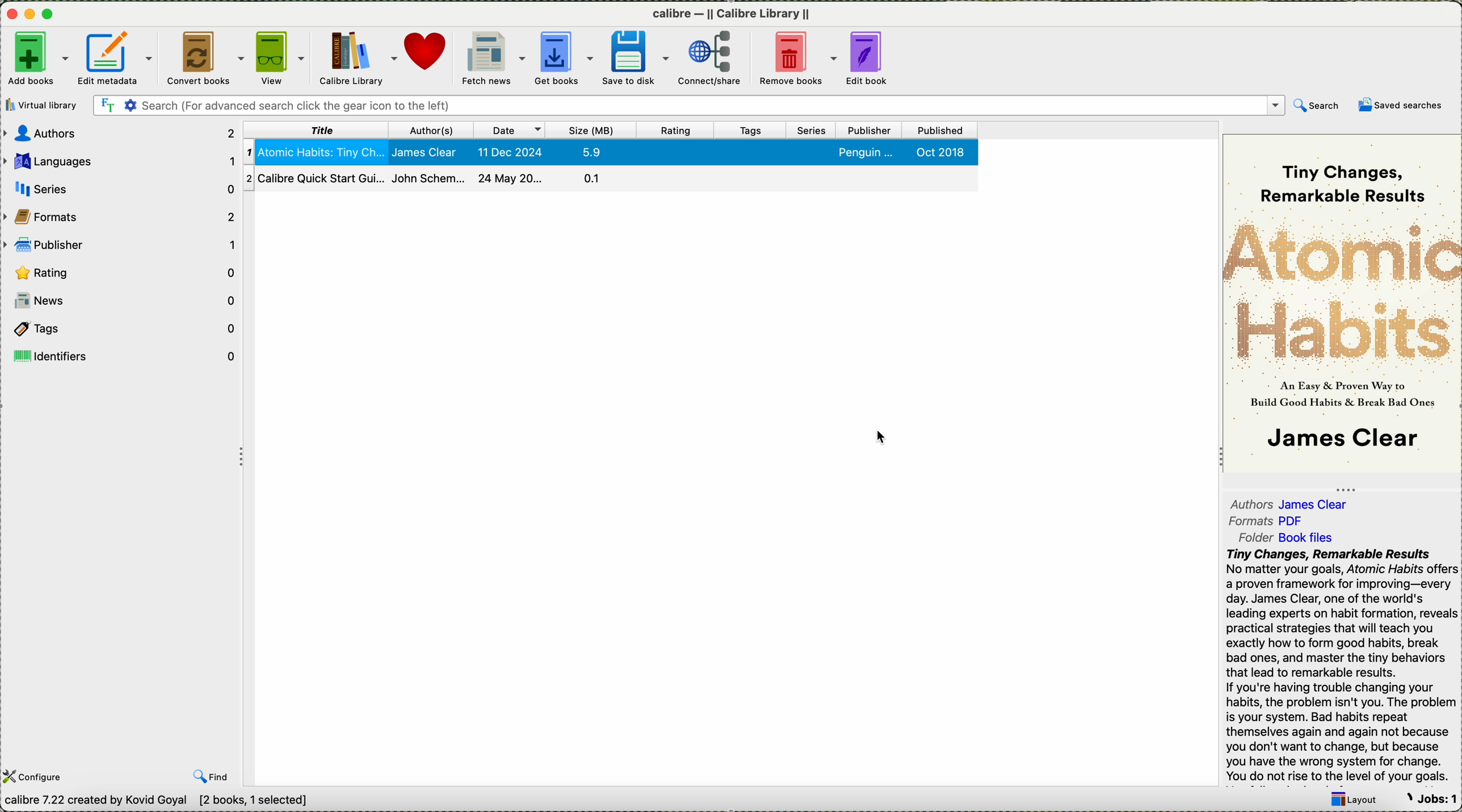  Describe the element at coordinates (14, 15) in the screenshot. I see `close` at that location.